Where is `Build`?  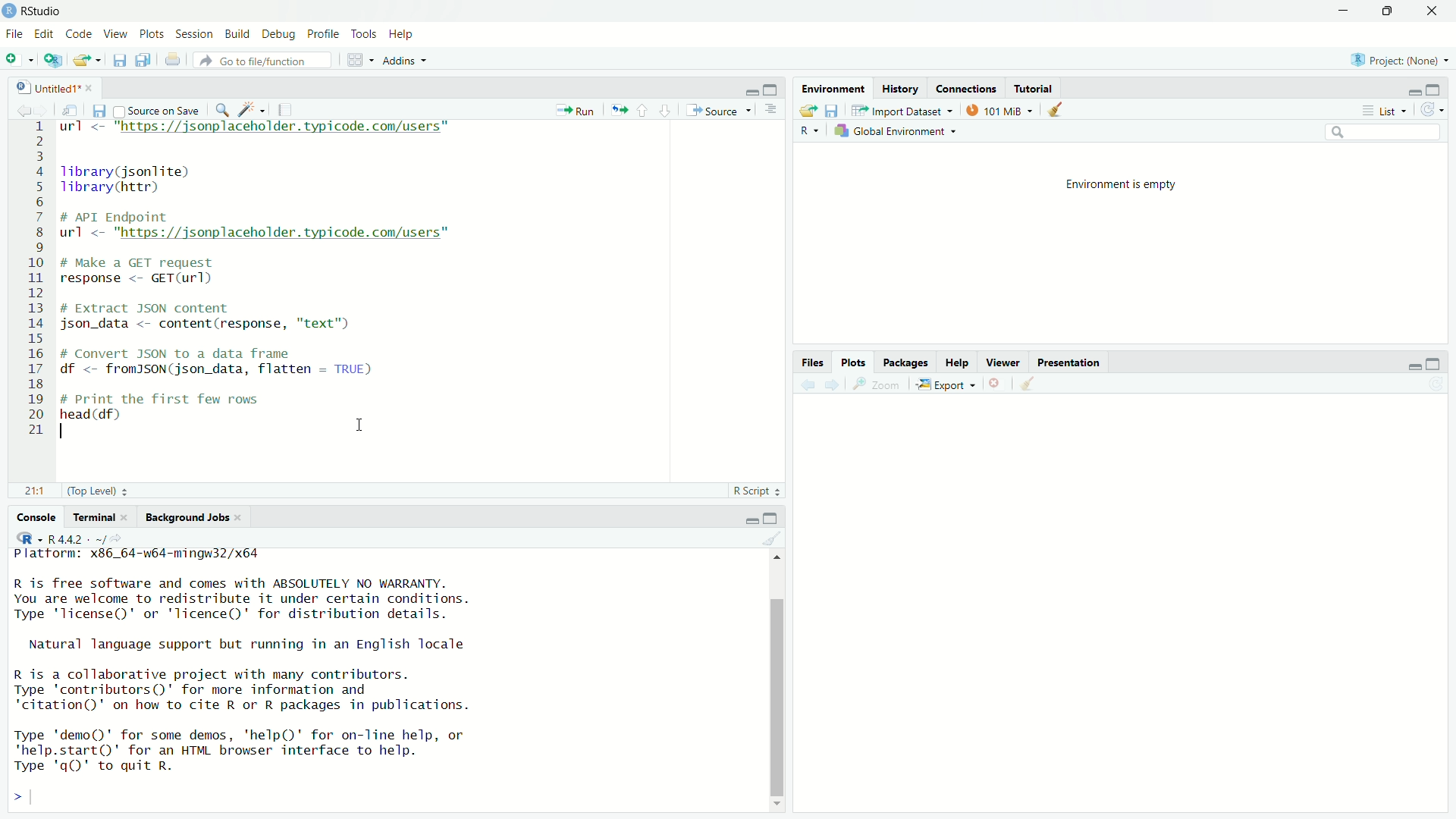 Build is located at coordinates (237, 35).